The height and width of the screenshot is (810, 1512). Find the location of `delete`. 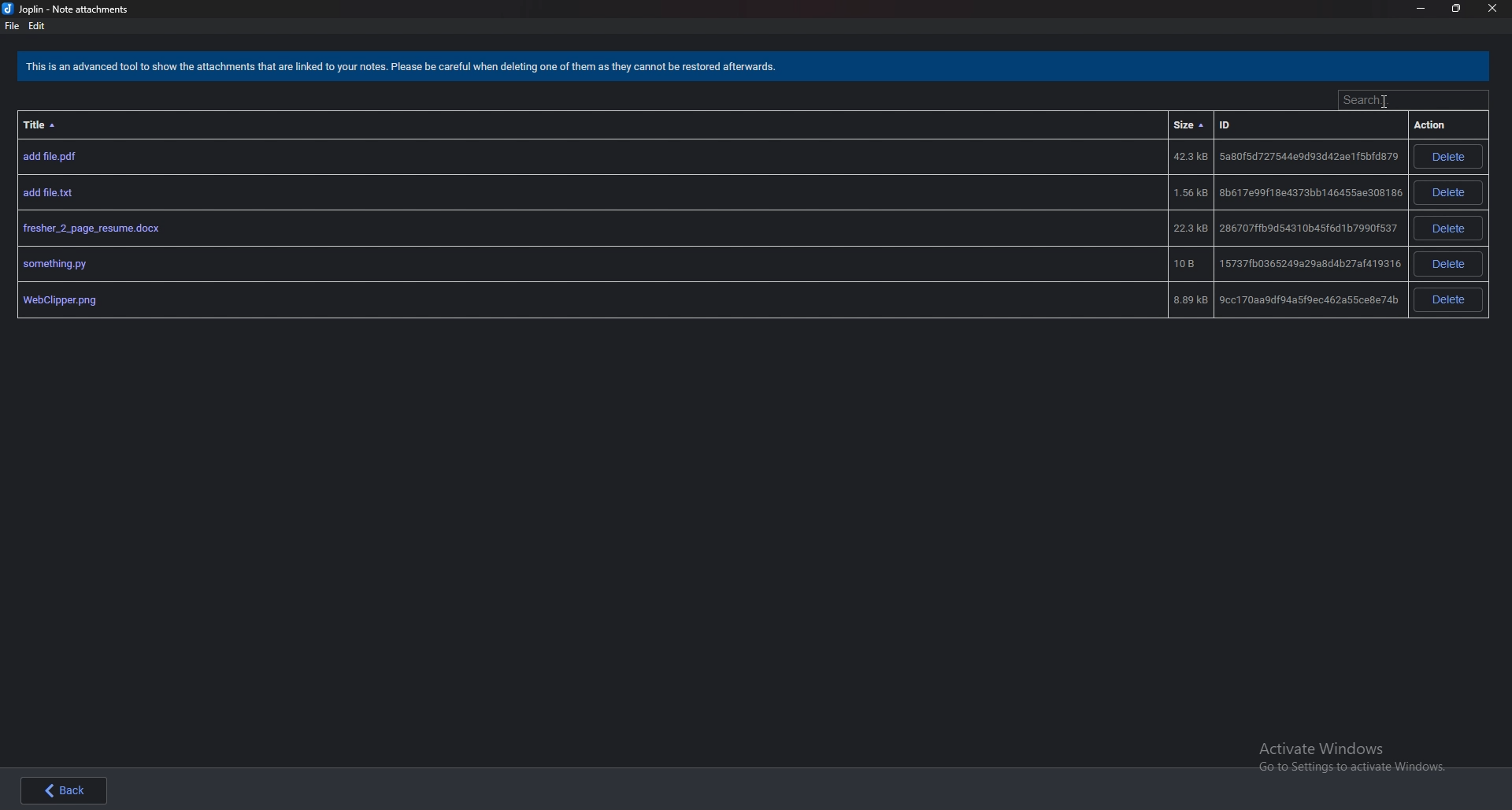

delete is located at coordinates (1450, 264).